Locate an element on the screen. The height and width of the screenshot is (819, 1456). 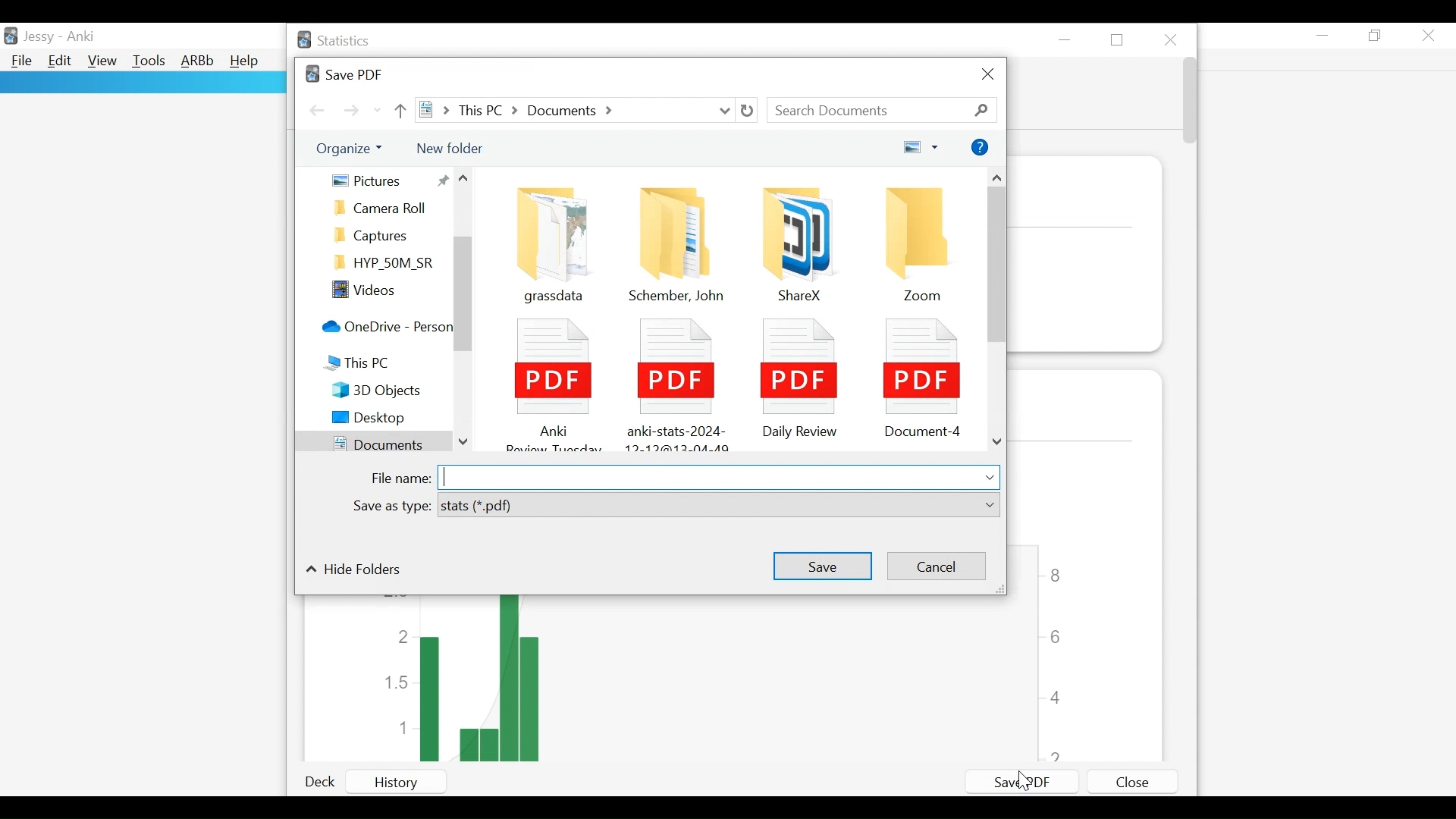
Close is located at coordinates (1172, 37).